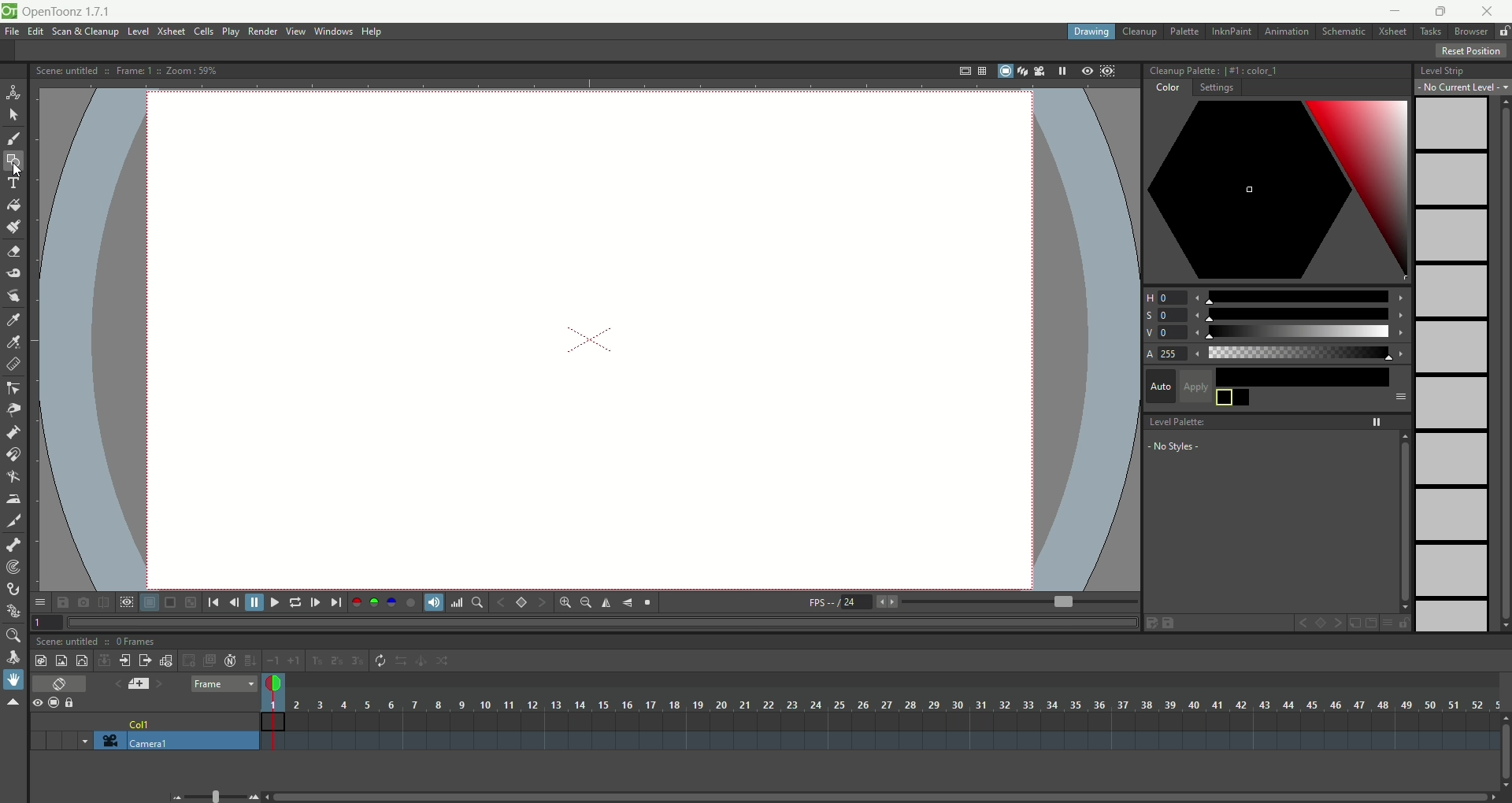  Describe the element at coordinates (885, 796) in the screenshot. I see `horizontal scrollbar` at that location.